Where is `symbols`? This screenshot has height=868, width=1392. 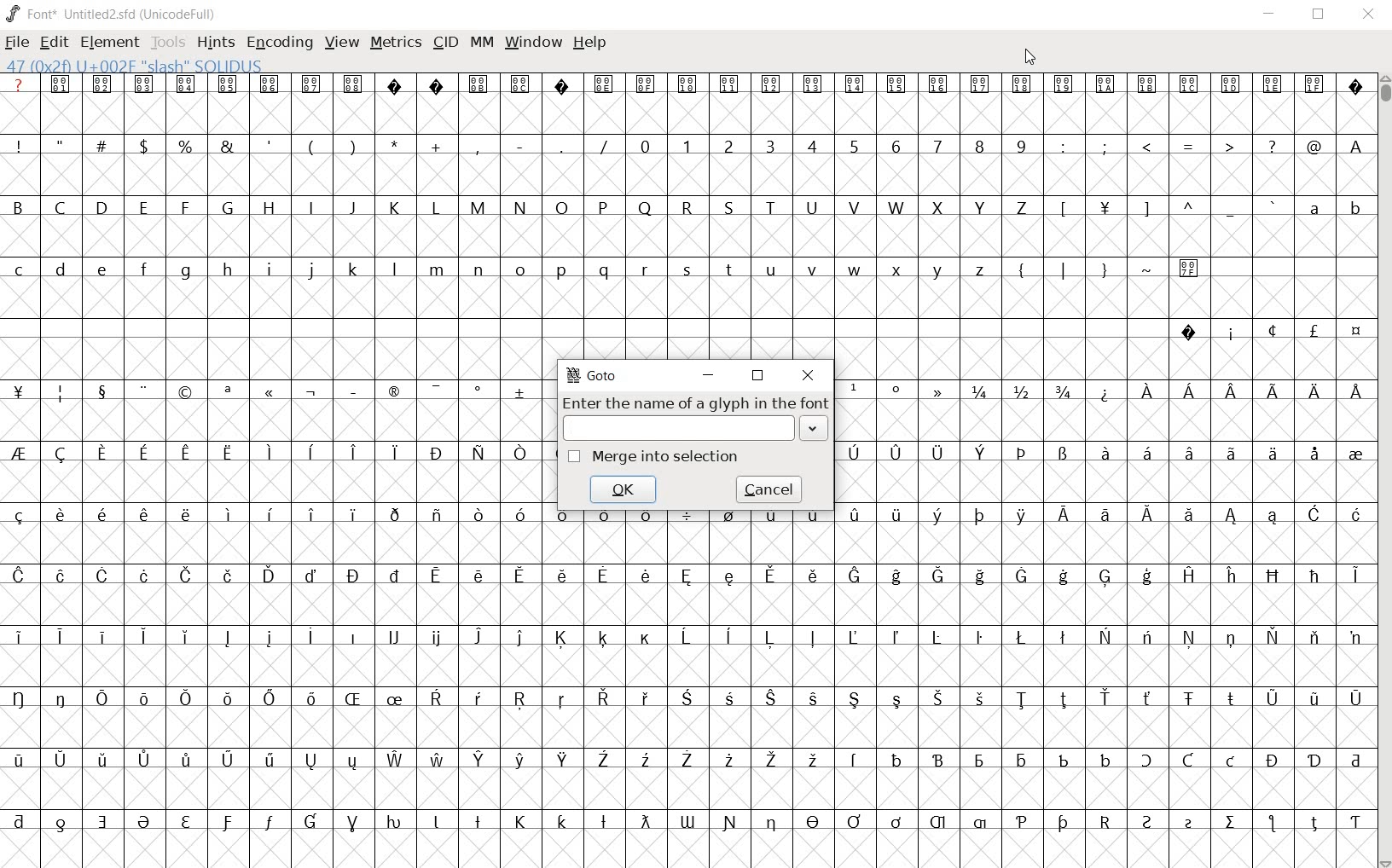
symbols is located at coordinates (901, 390).